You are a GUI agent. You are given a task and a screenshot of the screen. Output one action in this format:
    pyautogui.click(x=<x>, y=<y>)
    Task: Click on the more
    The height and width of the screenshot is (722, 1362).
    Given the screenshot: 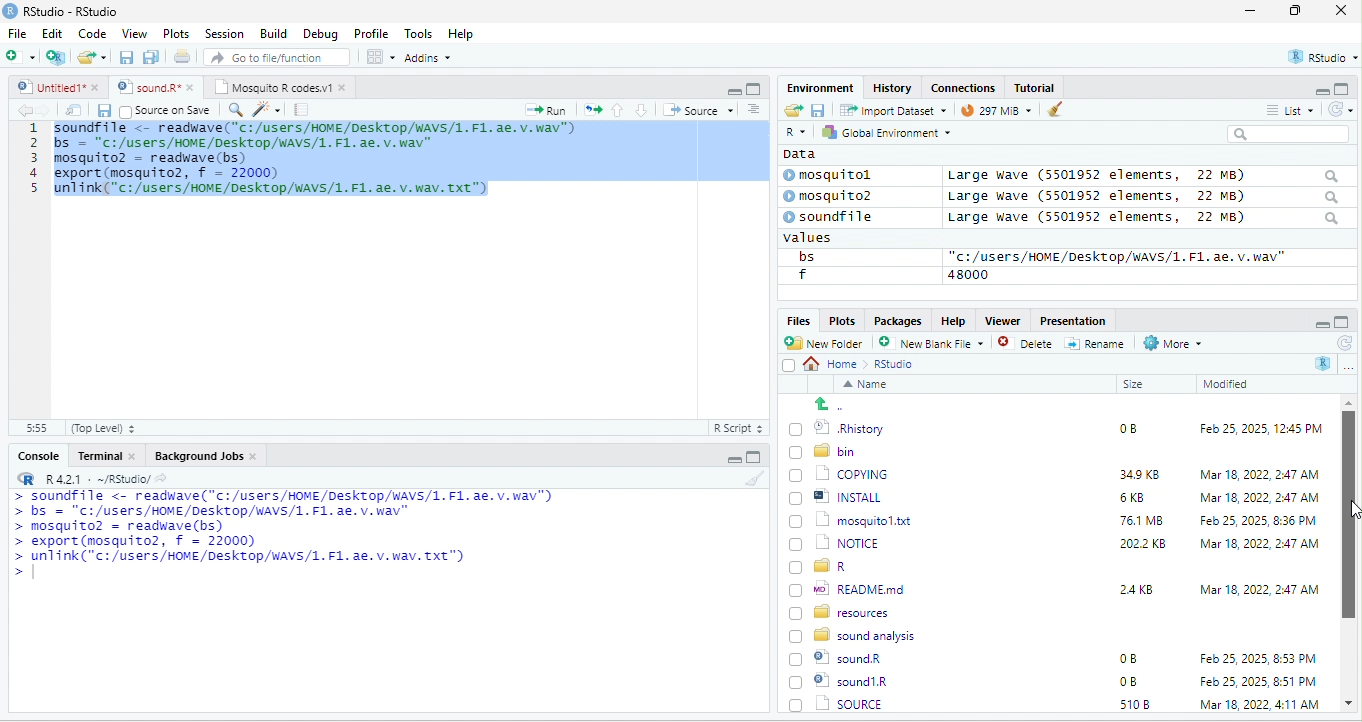 What is the action you would take?
    pyautogui.click(x=1348, y=366)
    